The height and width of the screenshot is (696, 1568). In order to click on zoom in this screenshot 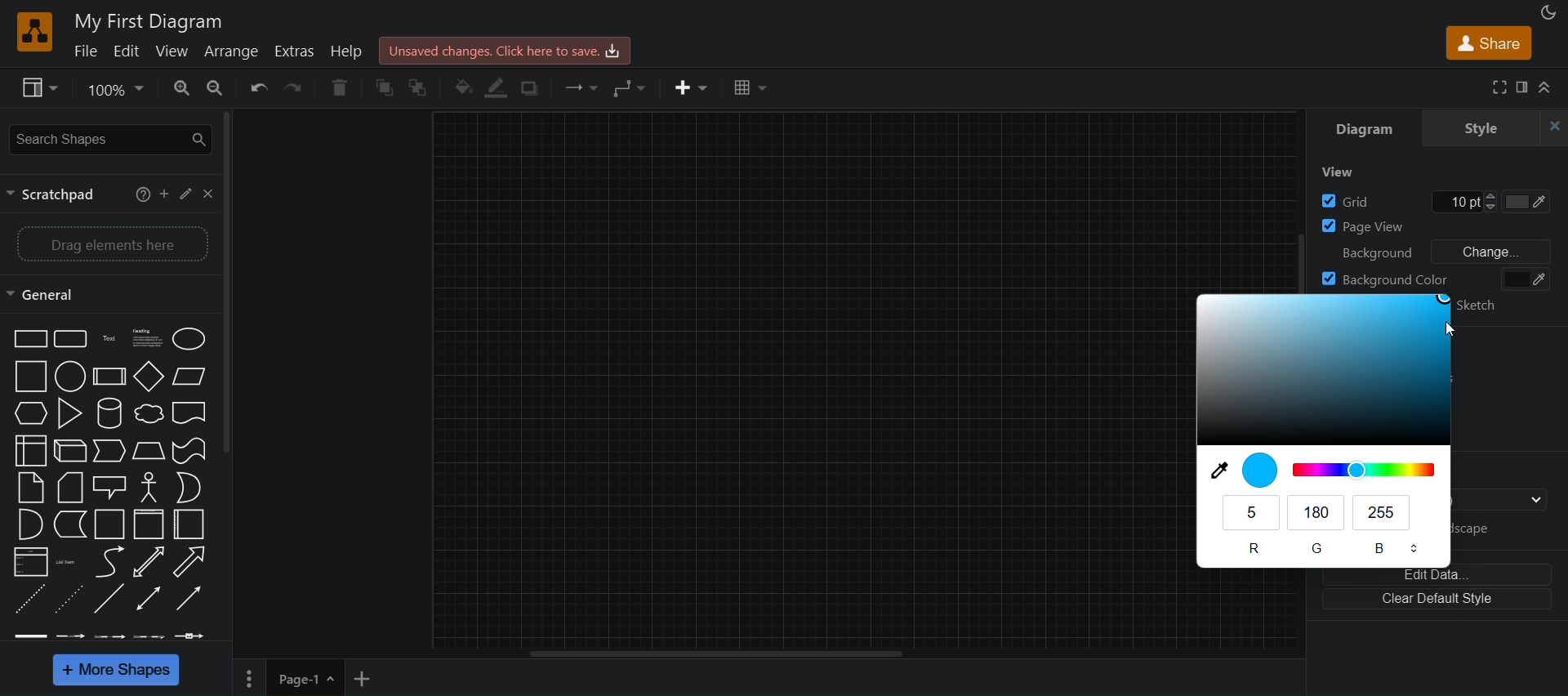, I will do `click(114, 87)`.